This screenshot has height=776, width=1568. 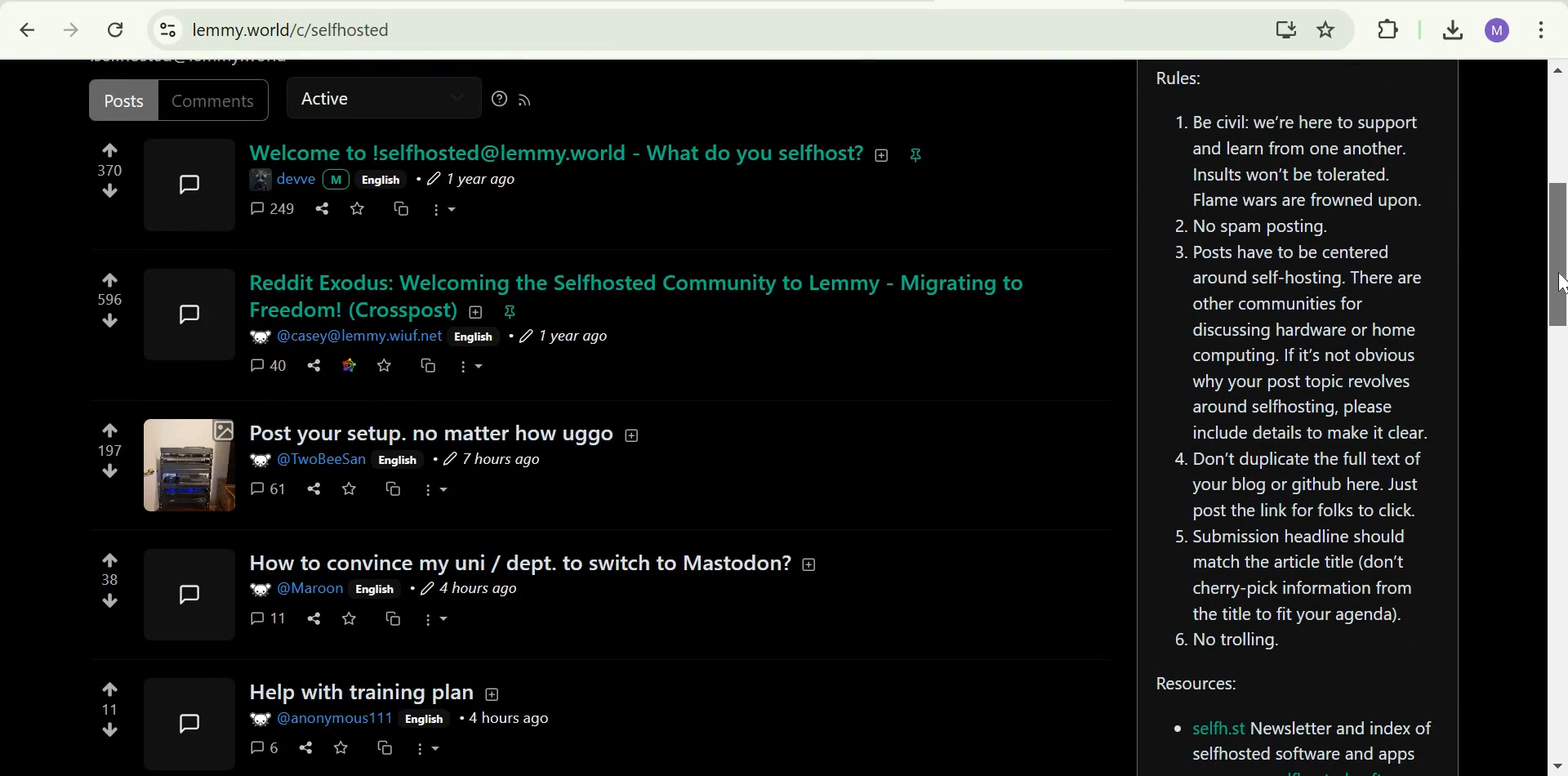 I want to click on customize and control google chrome, so click(x=1543, y=29).